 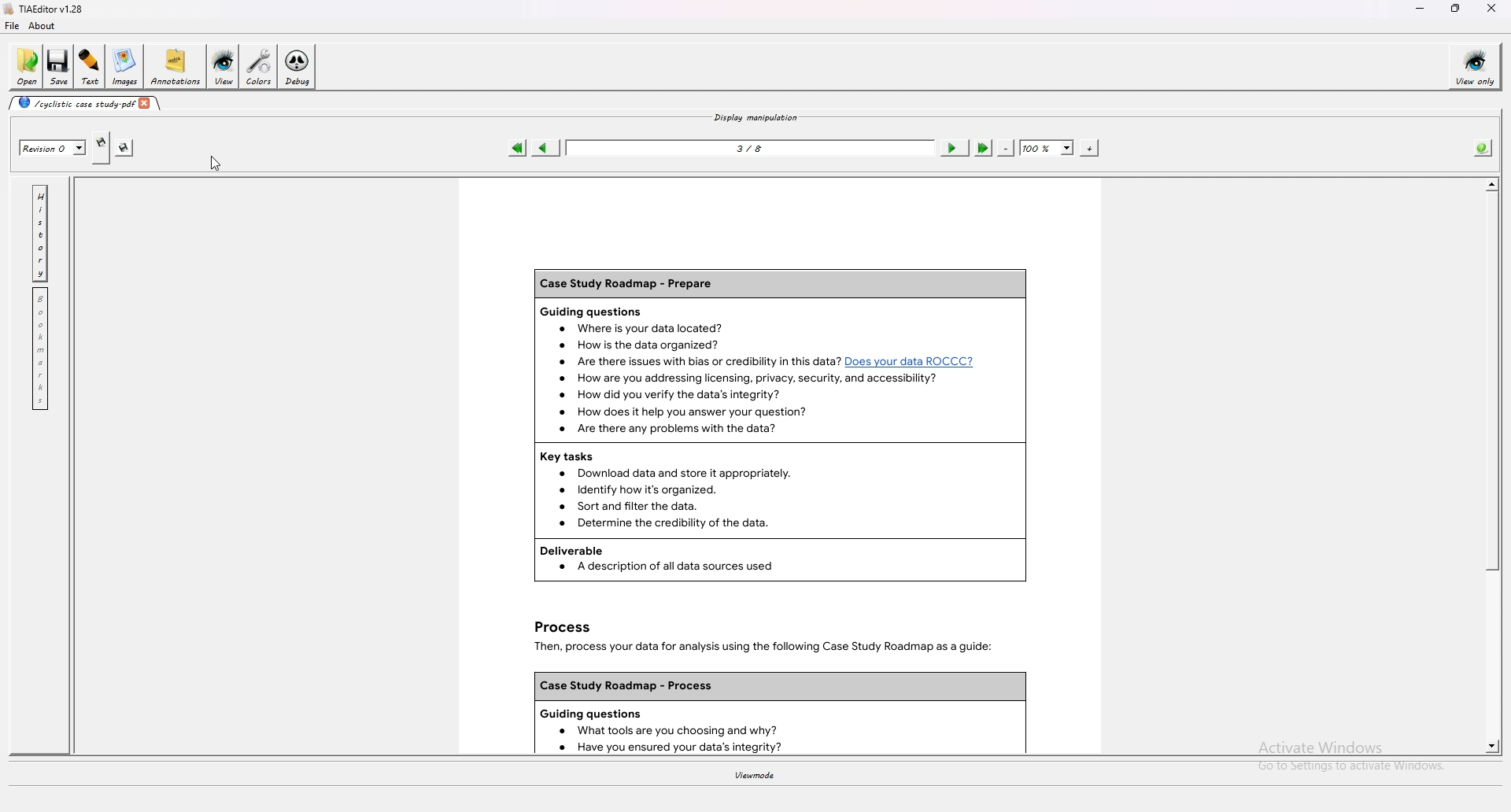 What do you see at coordinates (41, 25) in the screenshot?
I see `about` at bounding box center [41, 25].